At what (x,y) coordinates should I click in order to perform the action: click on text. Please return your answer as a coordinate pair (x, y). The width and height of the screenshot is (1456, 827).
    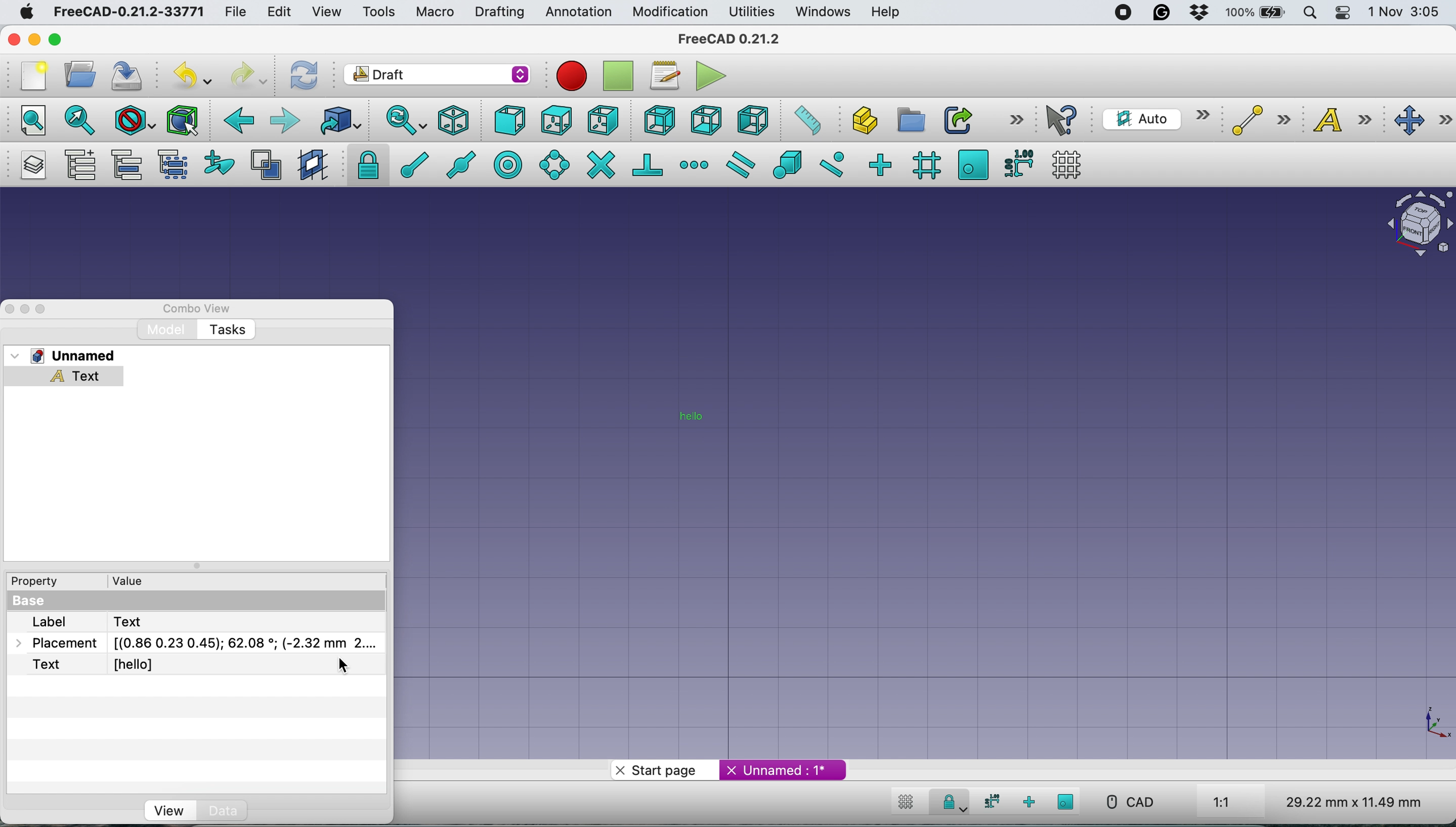
    Looking at the image, I should click on (1339, 120).